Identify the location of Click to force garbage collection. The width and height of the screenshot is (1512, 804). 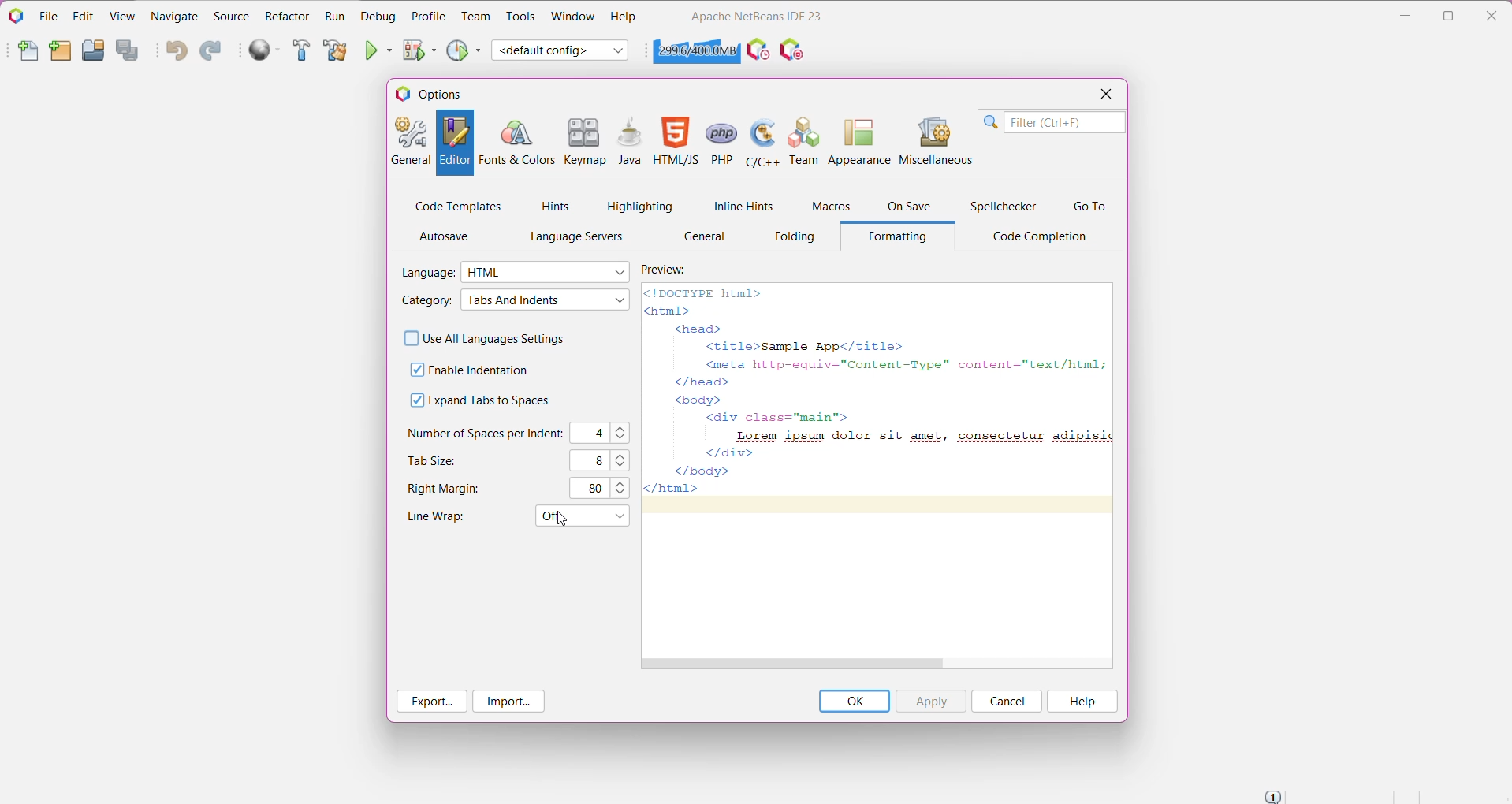
(696, 50).